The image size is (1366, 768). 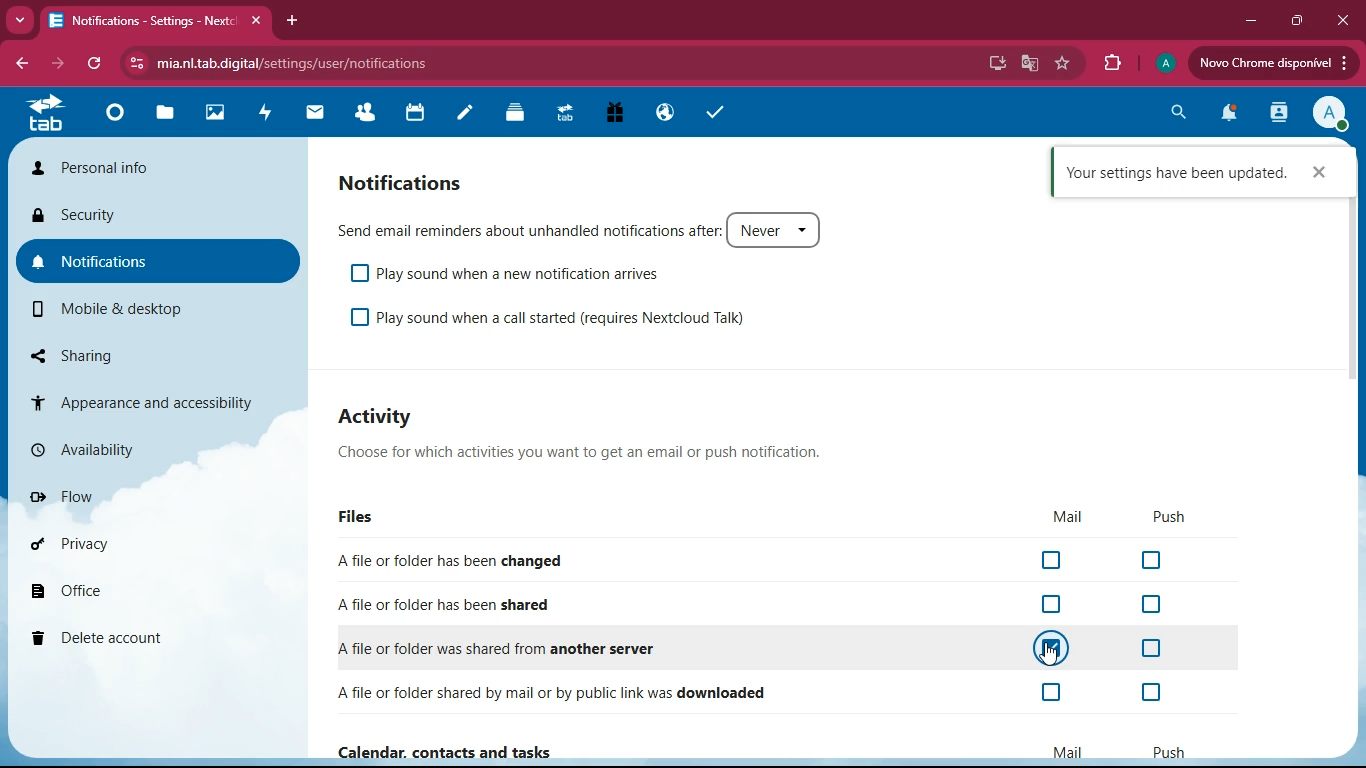 What do you see at coordinates (490, 561) in the screenshot?
I see `changed` at bounding box center [490, 561].